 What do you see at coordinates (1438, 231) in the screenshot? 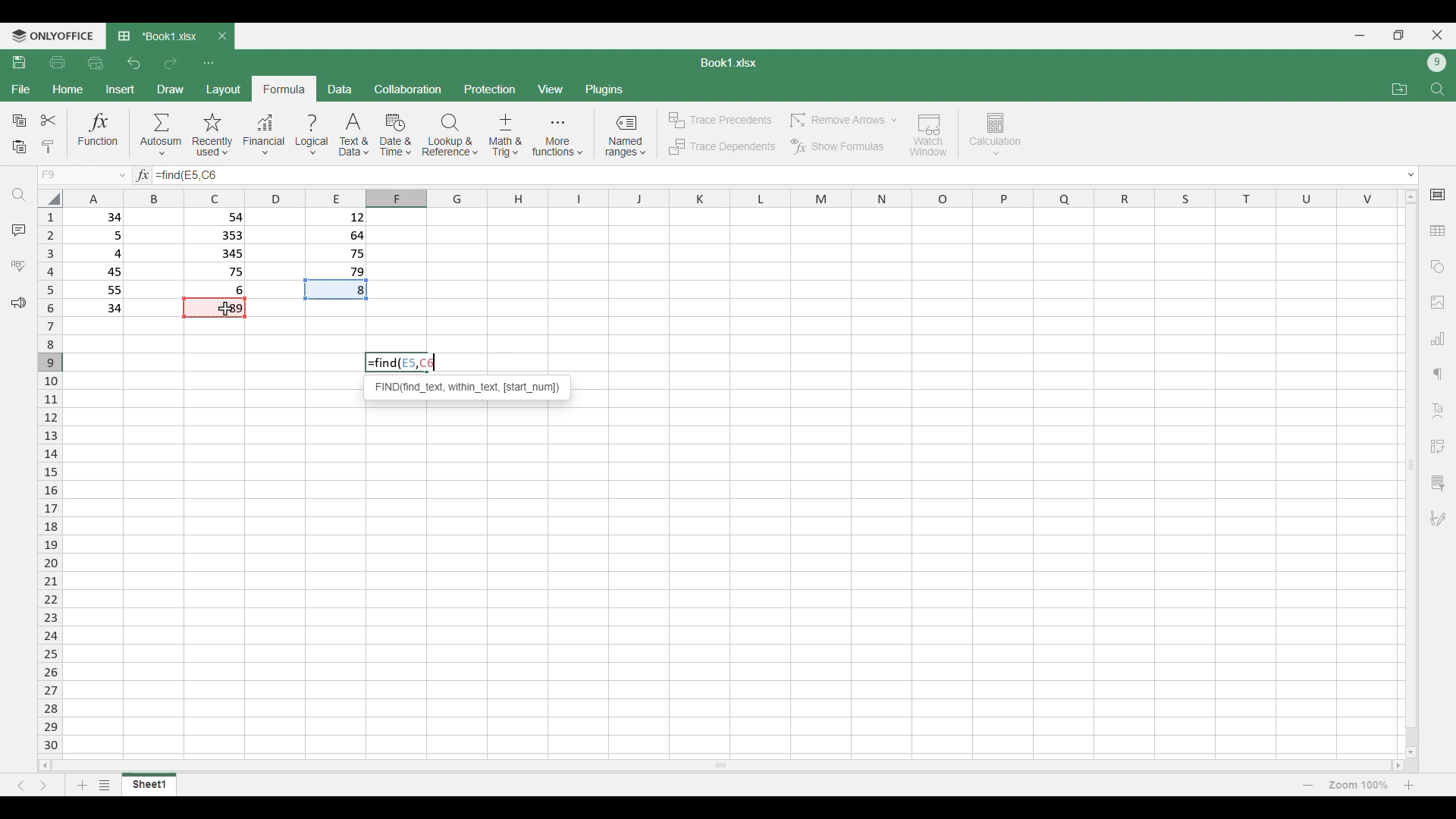
I see `Insert table` at bounding box center [1438, 231].